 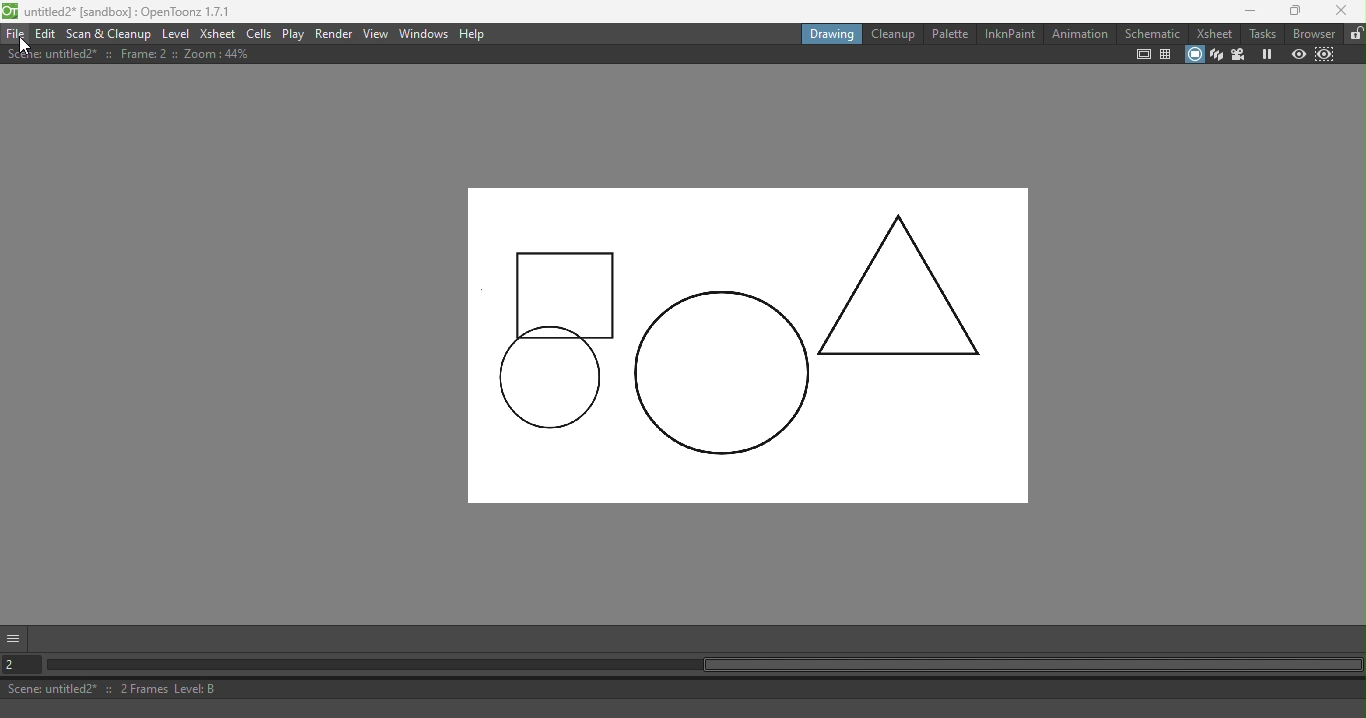 I want to click on InknPaint, so click(x=1010, y=34).